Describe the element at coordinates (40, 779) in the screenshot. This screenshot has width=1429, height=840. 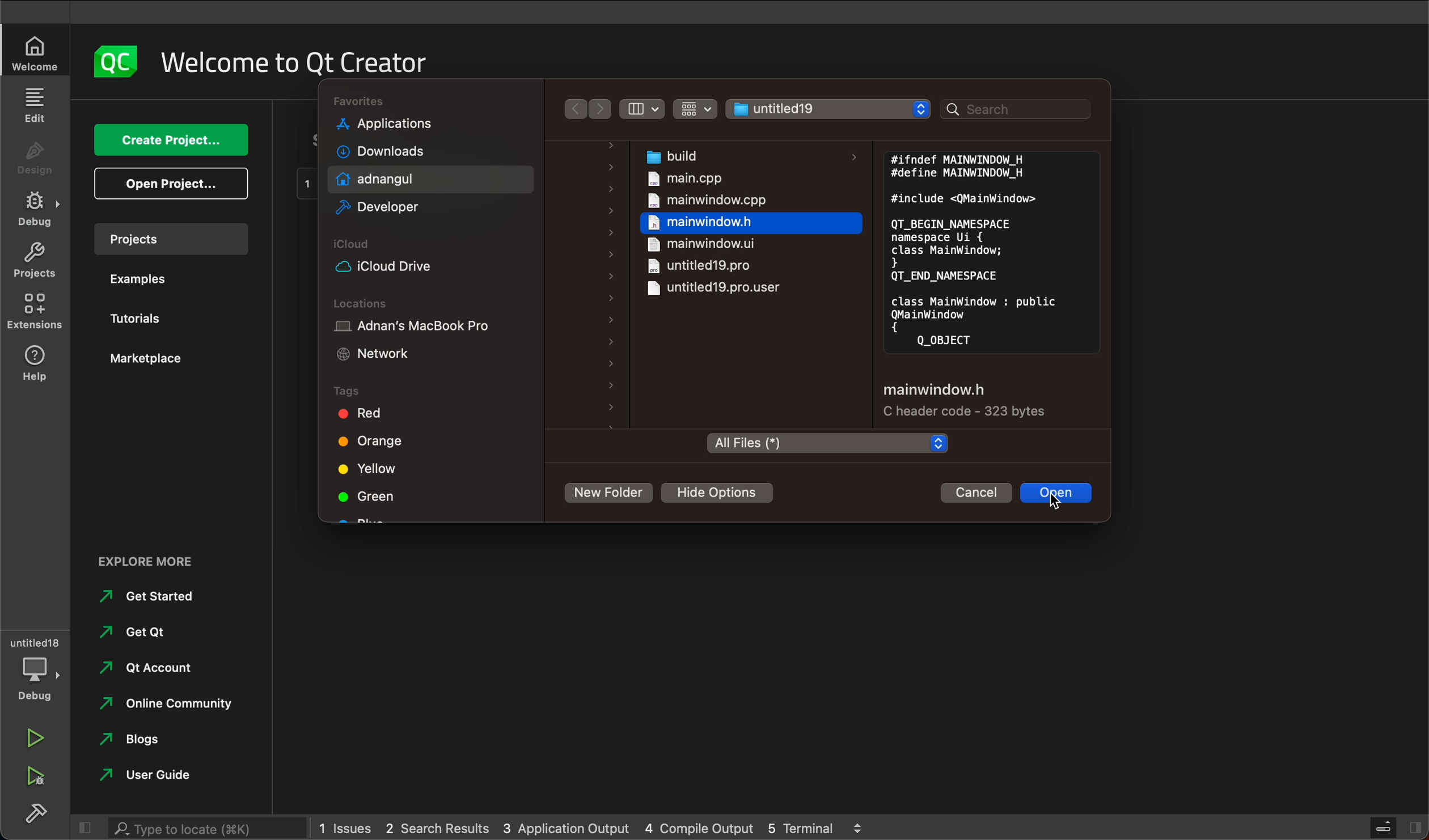
I see `run debug` at that location.